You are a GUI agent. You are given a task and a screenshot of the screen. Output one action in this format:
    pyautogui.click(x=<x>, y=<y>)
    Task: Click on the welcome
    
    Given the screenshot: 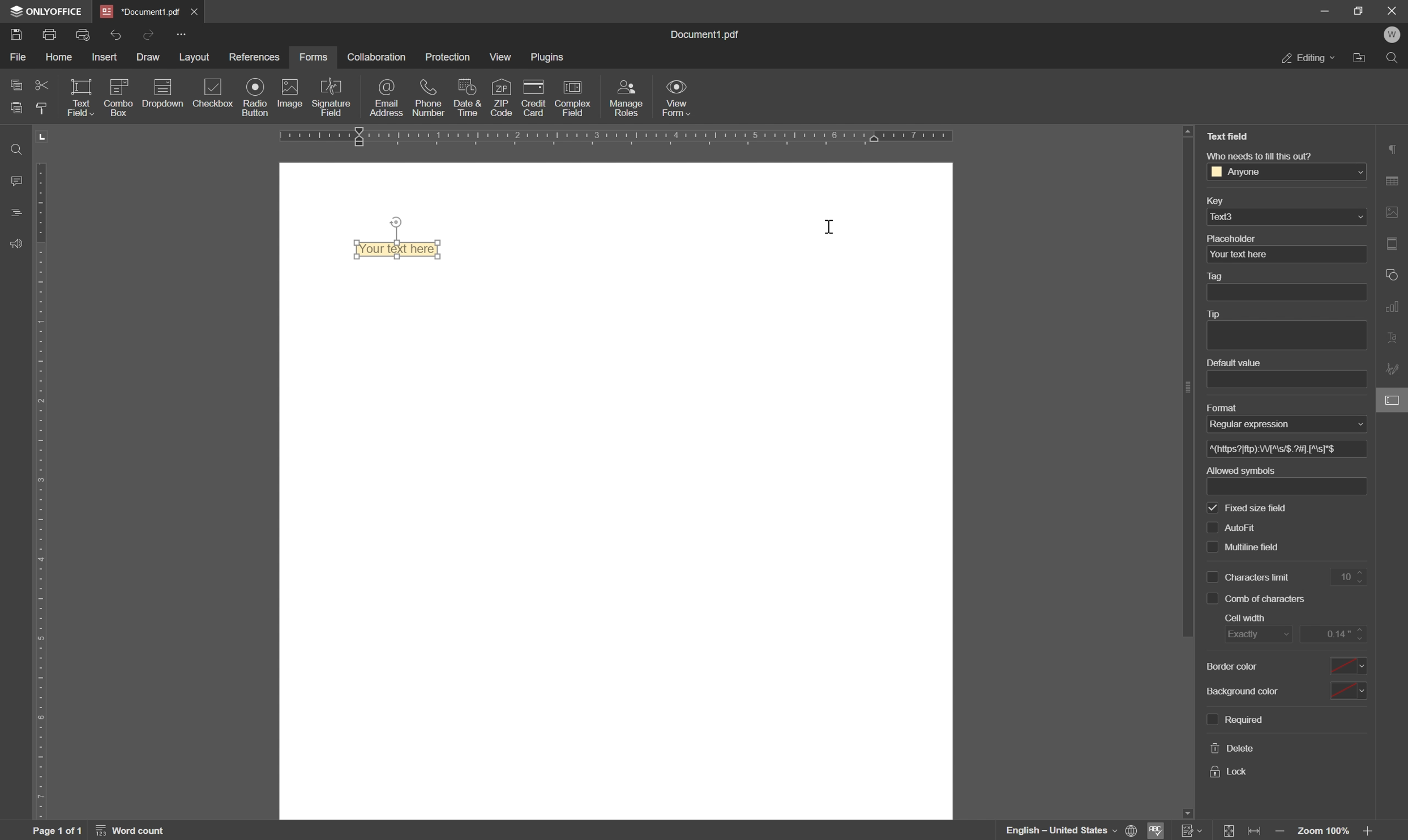 What is the action you would take?
    pyautogui.click(x=1393, y=35)
    